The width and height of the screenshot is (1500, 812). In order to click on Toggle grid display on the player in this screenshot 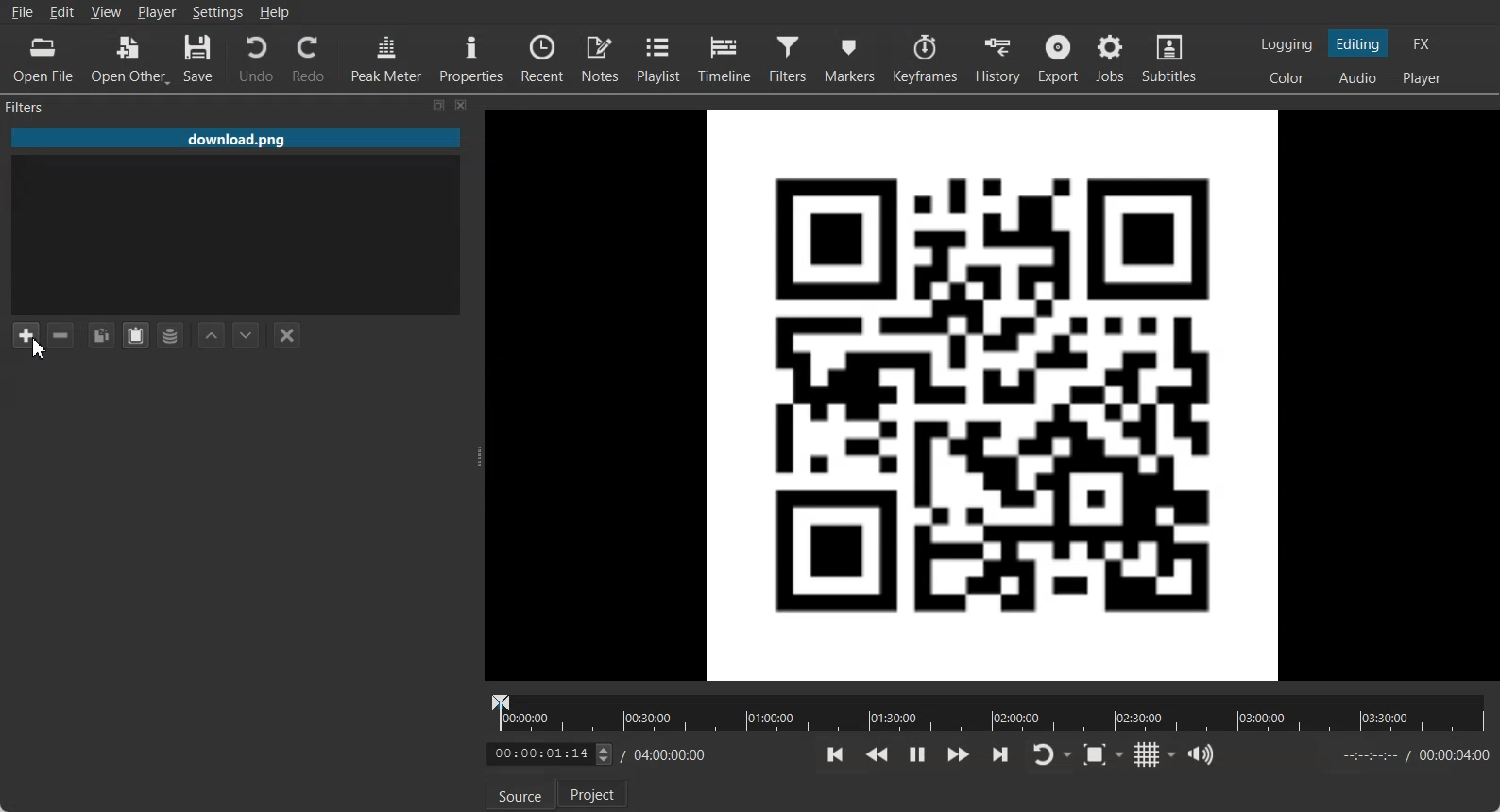, I will do `click(1149, 754)`.